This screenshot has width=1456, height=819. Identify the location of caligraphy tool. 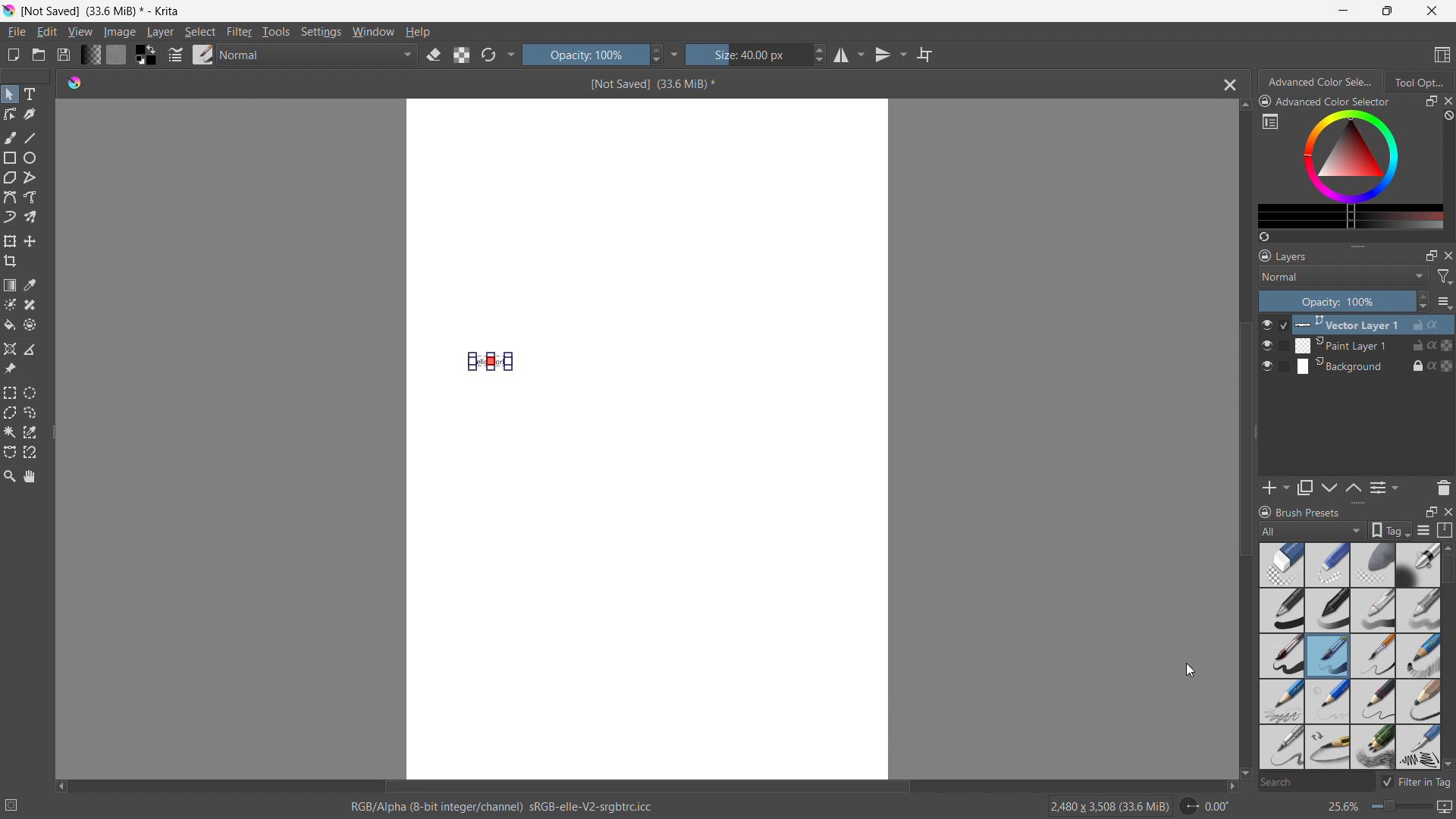
(30, 115).